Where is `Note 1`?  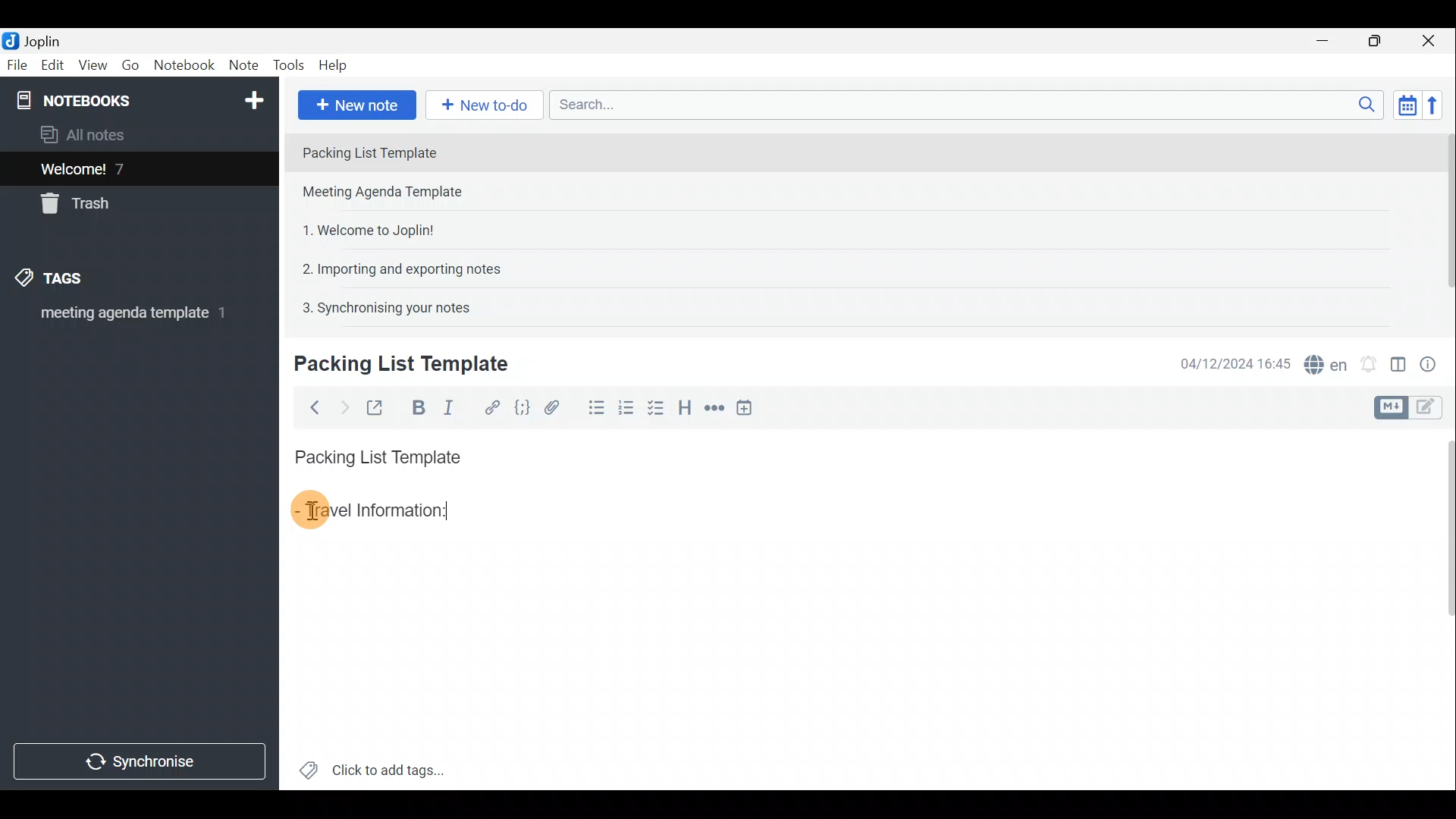
Note 1 is located at coordinates (424, 151).